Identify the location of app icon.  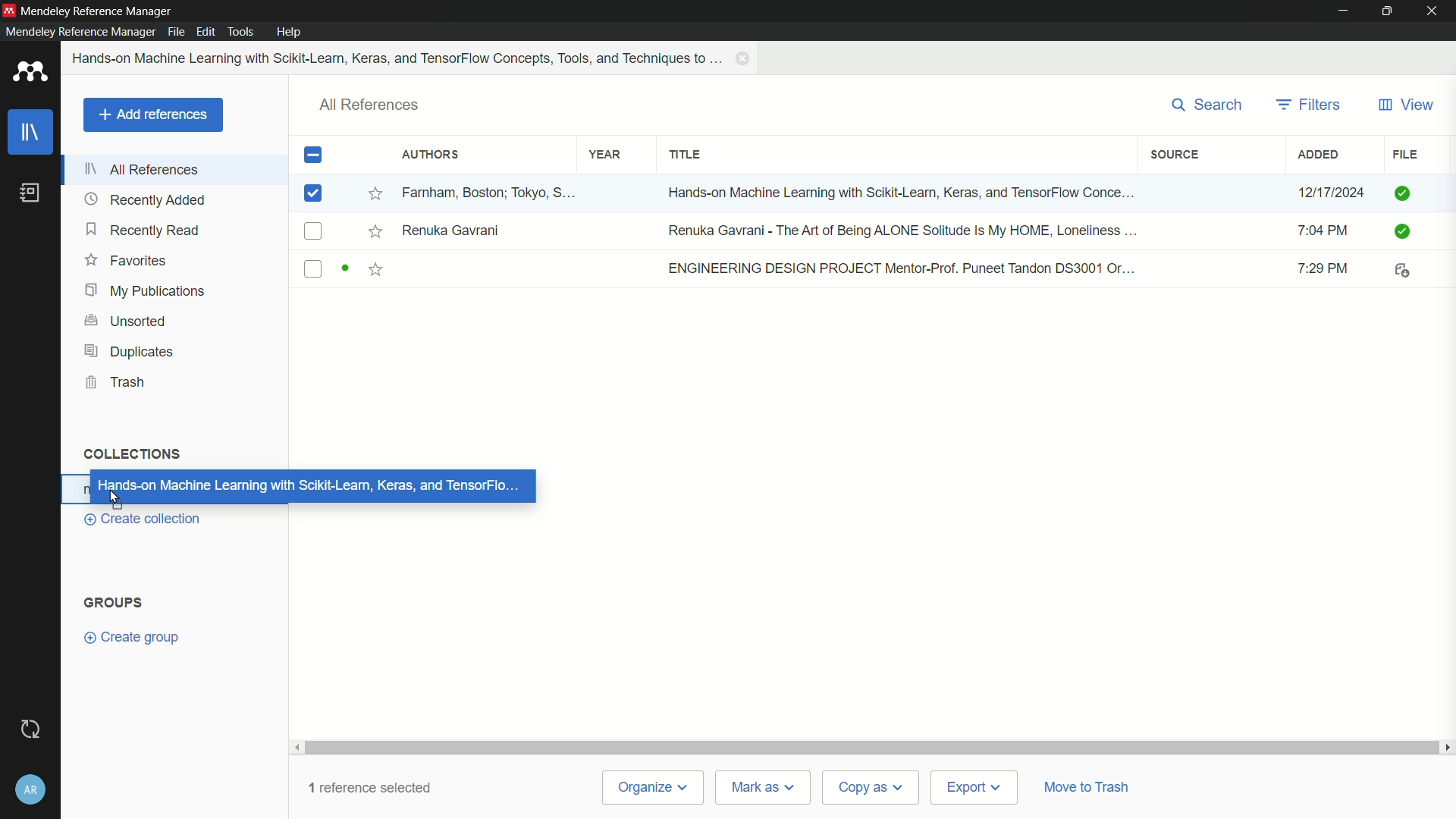
(9, 11).